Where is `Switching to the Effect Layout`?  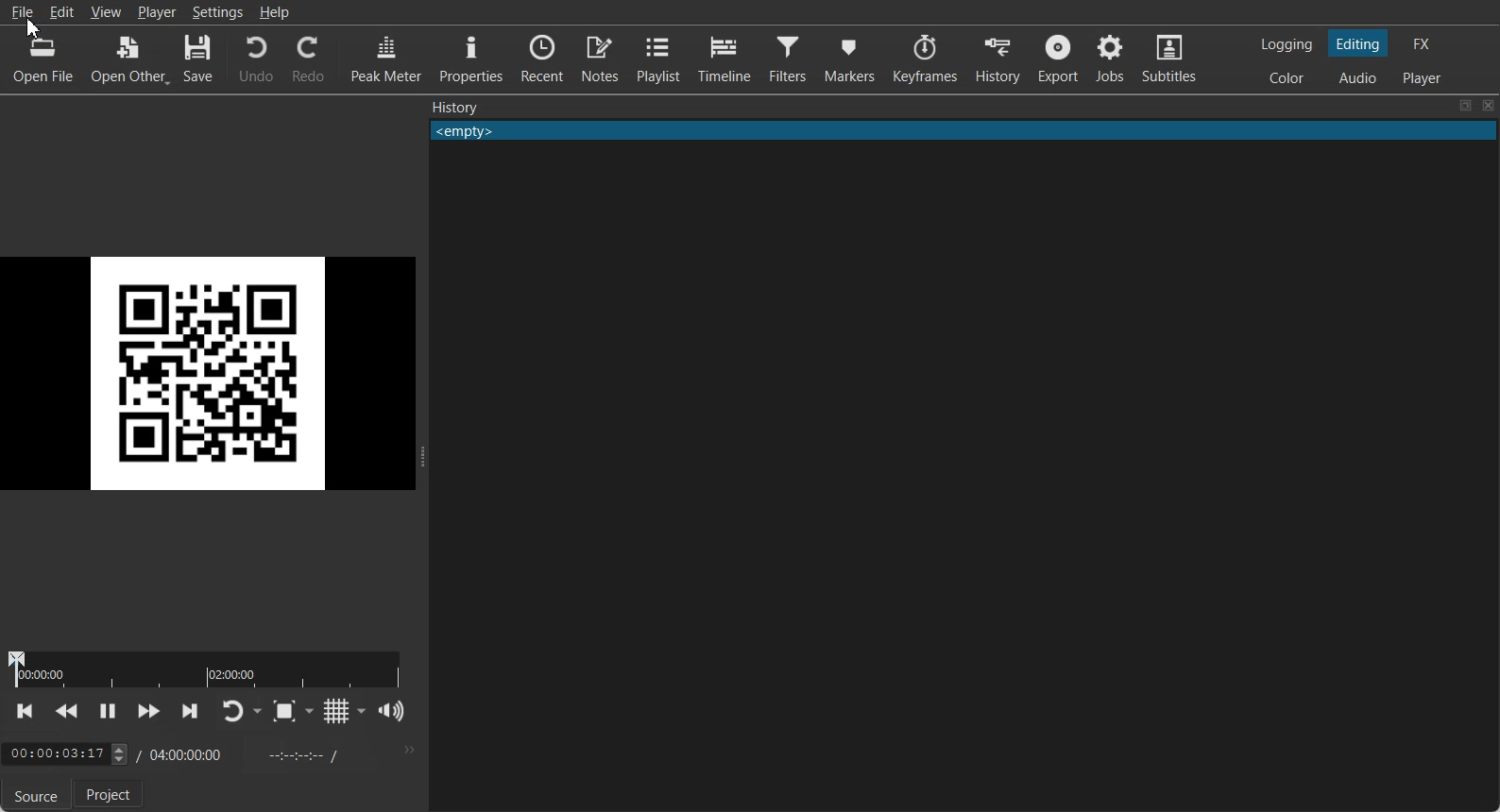
Switching to the Effect Layout is located at coordinates (1421, 42).